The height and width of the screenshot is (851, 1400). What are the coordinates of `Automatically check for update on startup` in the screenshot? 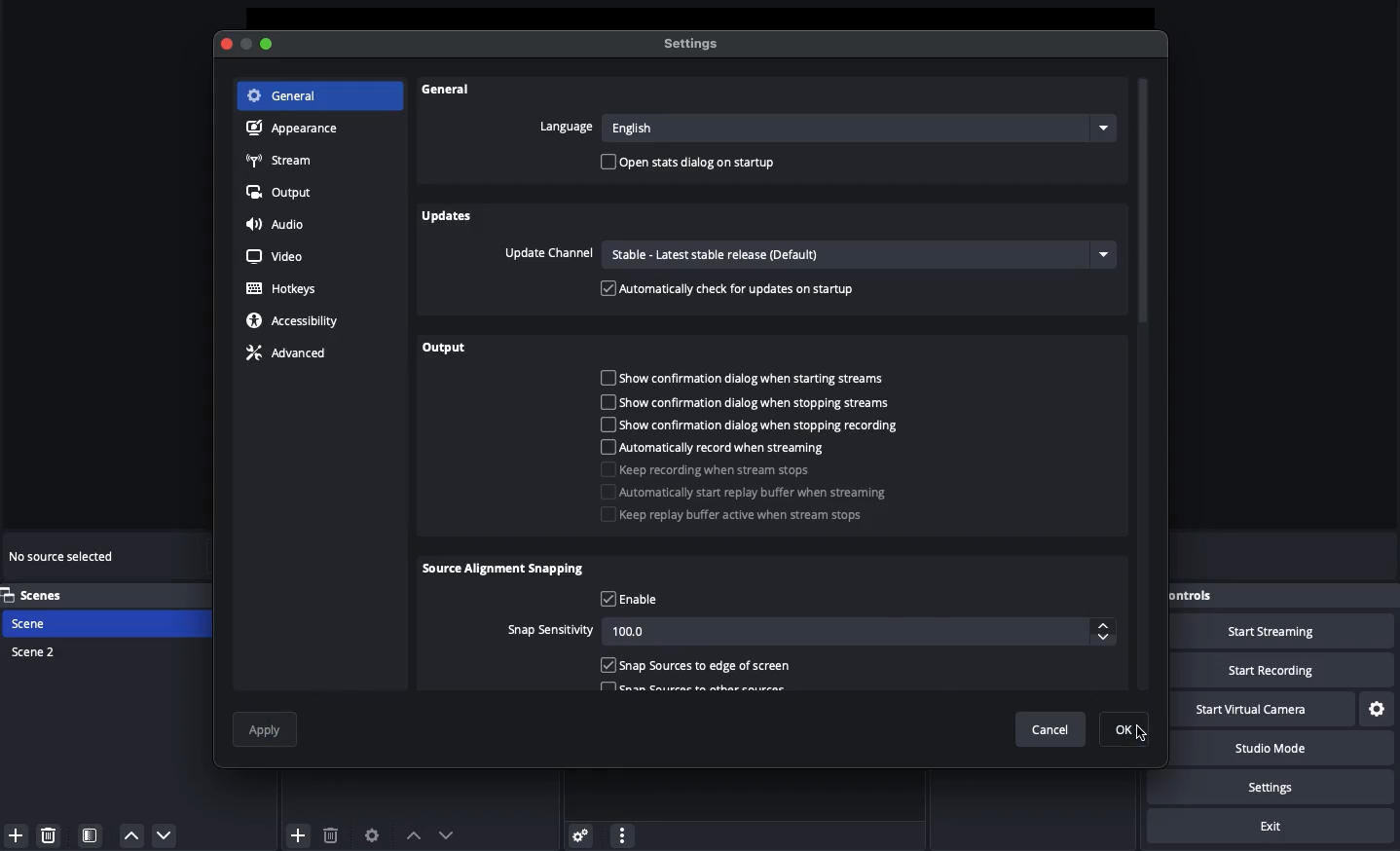 It's located at (730, 288).